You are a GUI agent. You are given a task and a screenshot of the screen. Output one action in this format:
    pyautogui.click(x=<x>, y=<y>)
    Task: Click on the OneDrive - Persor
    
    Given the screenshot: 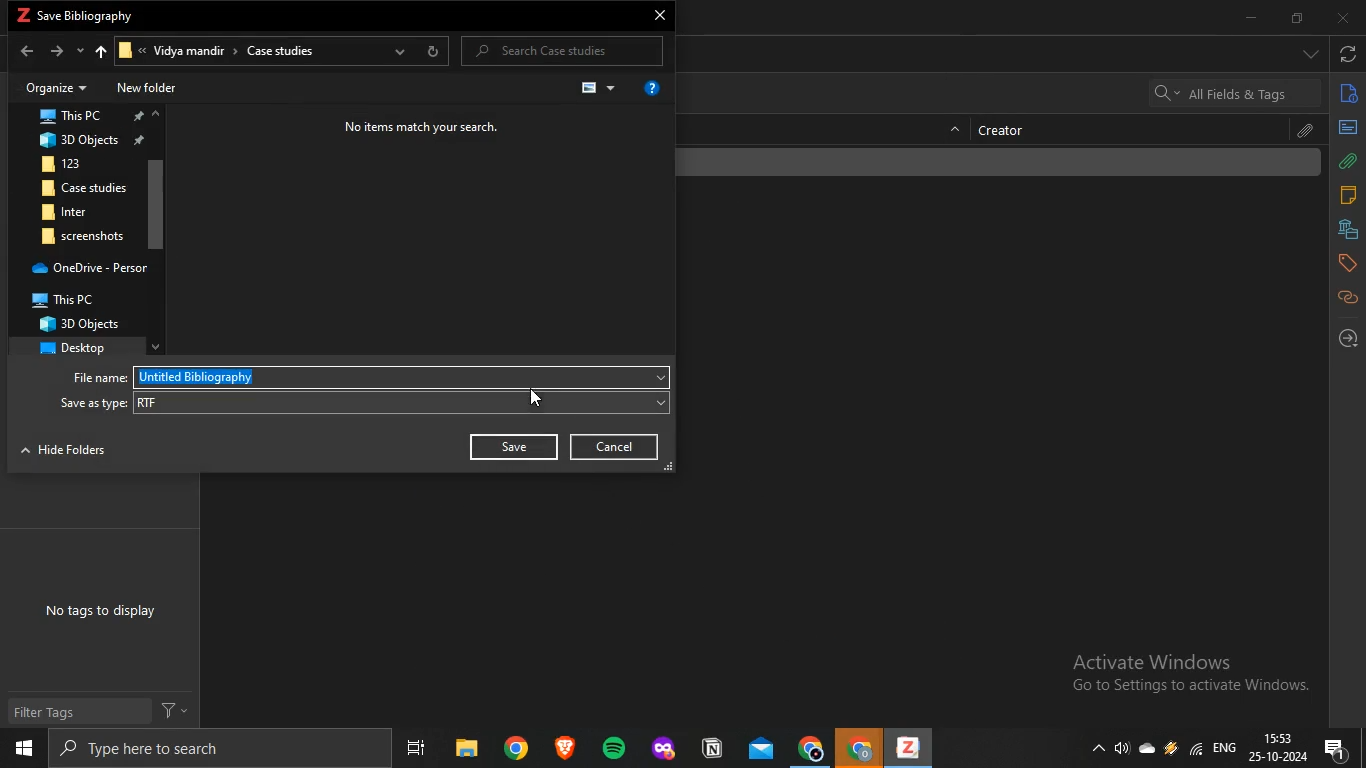 What is the action you would take?
    pyautogui.click(x=93, y=270)
    